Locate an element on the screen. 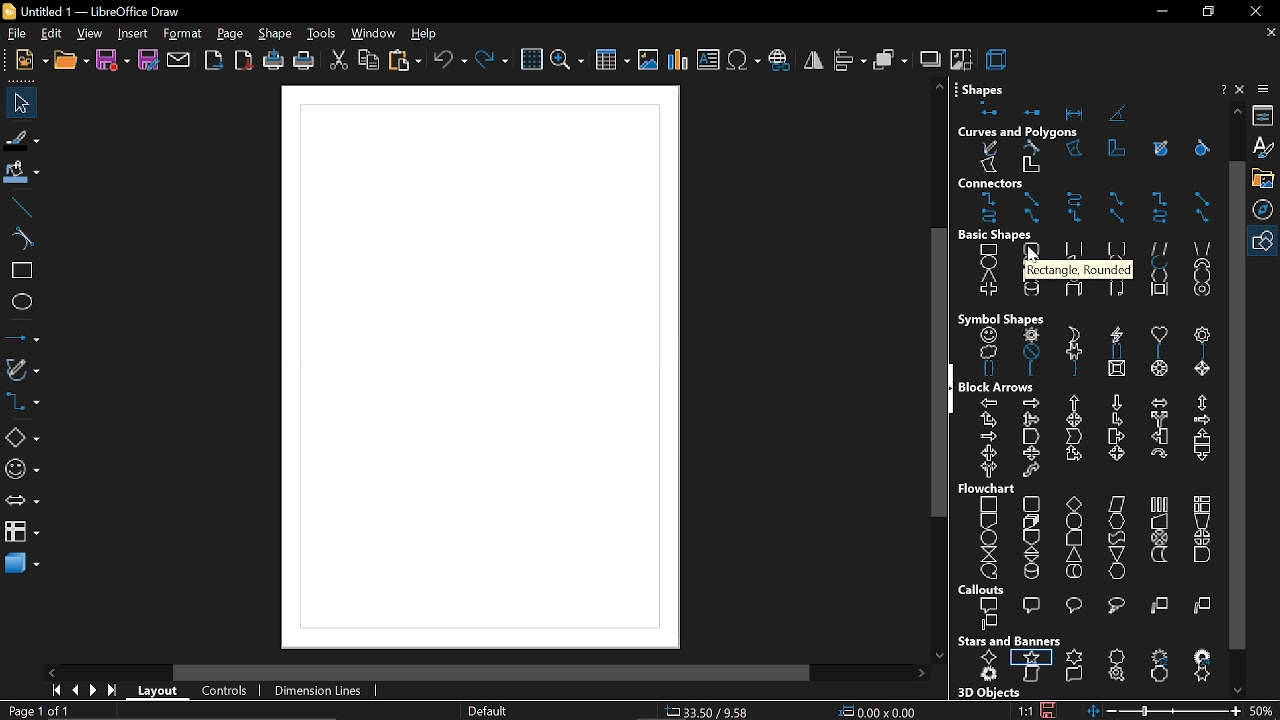 The image size is (1280, 720). Canvas is located at coordinates (478, 369).